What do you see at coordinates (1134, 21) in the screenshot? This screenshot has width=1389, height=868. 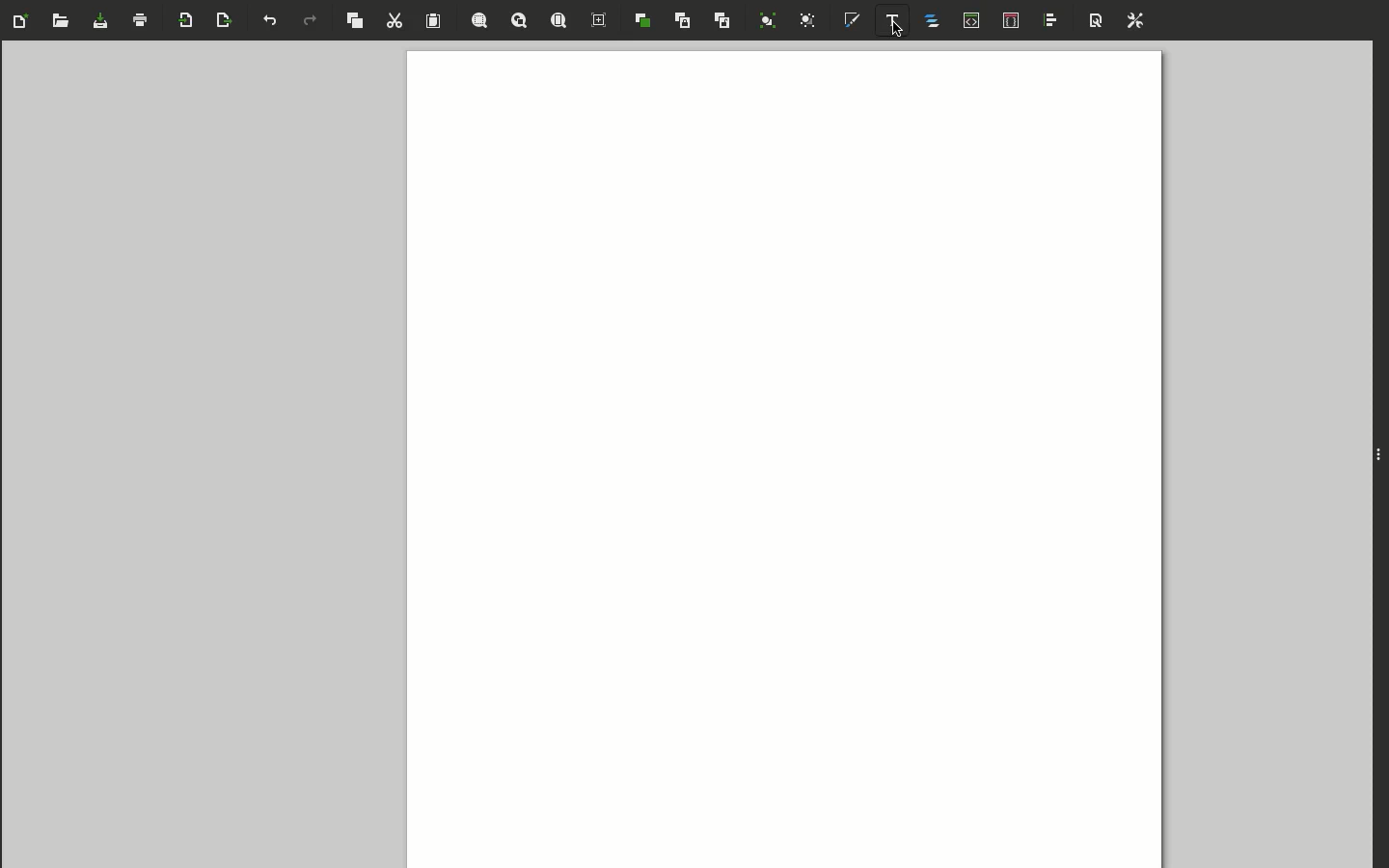 I see `Preferences` at bounding box center [1134, 21].